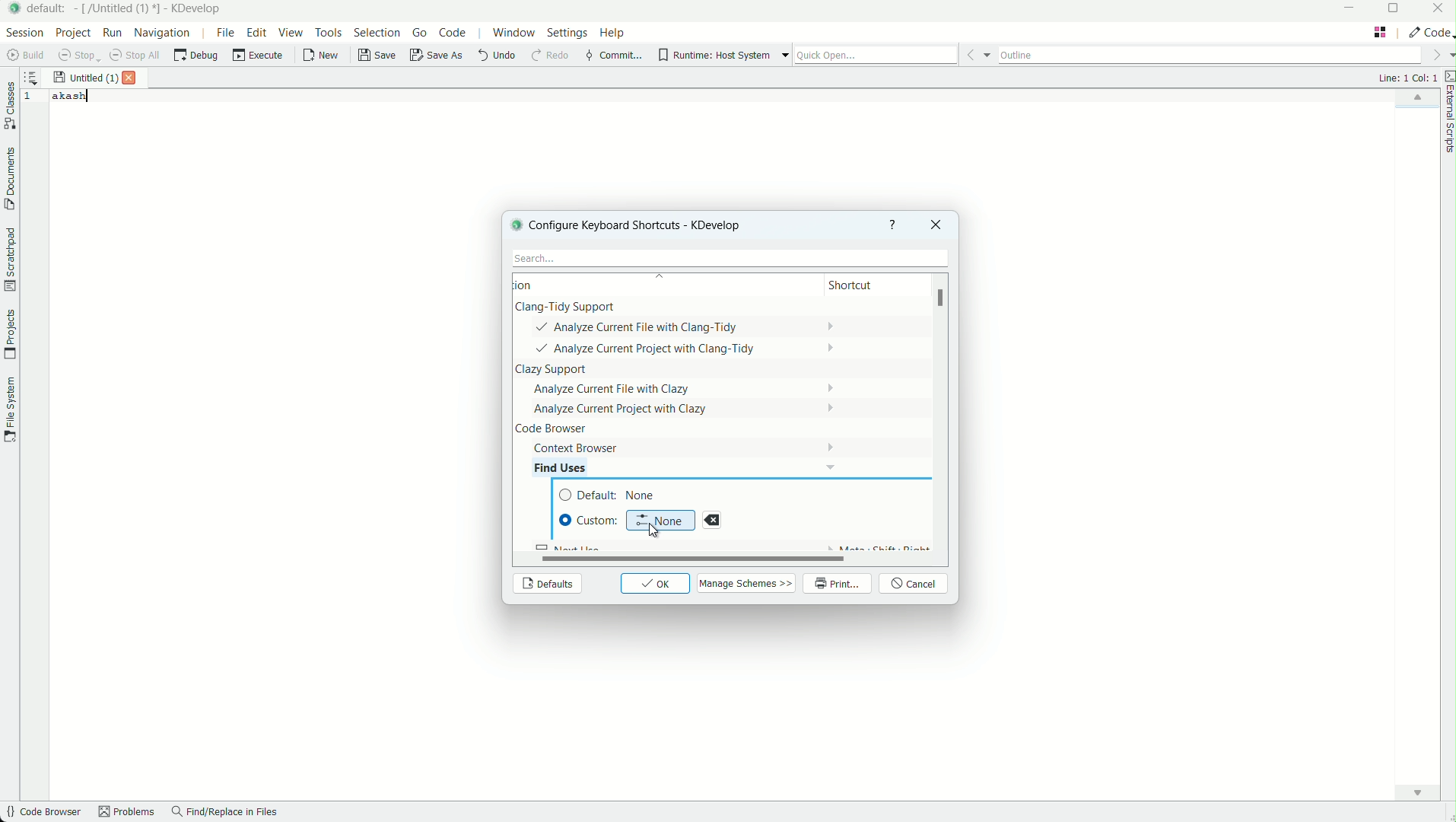 The image size is (1456, 822). What do you see at coordinates (79, 56) in the screenshot?
I see `stop` at bounding box center [79, 56].